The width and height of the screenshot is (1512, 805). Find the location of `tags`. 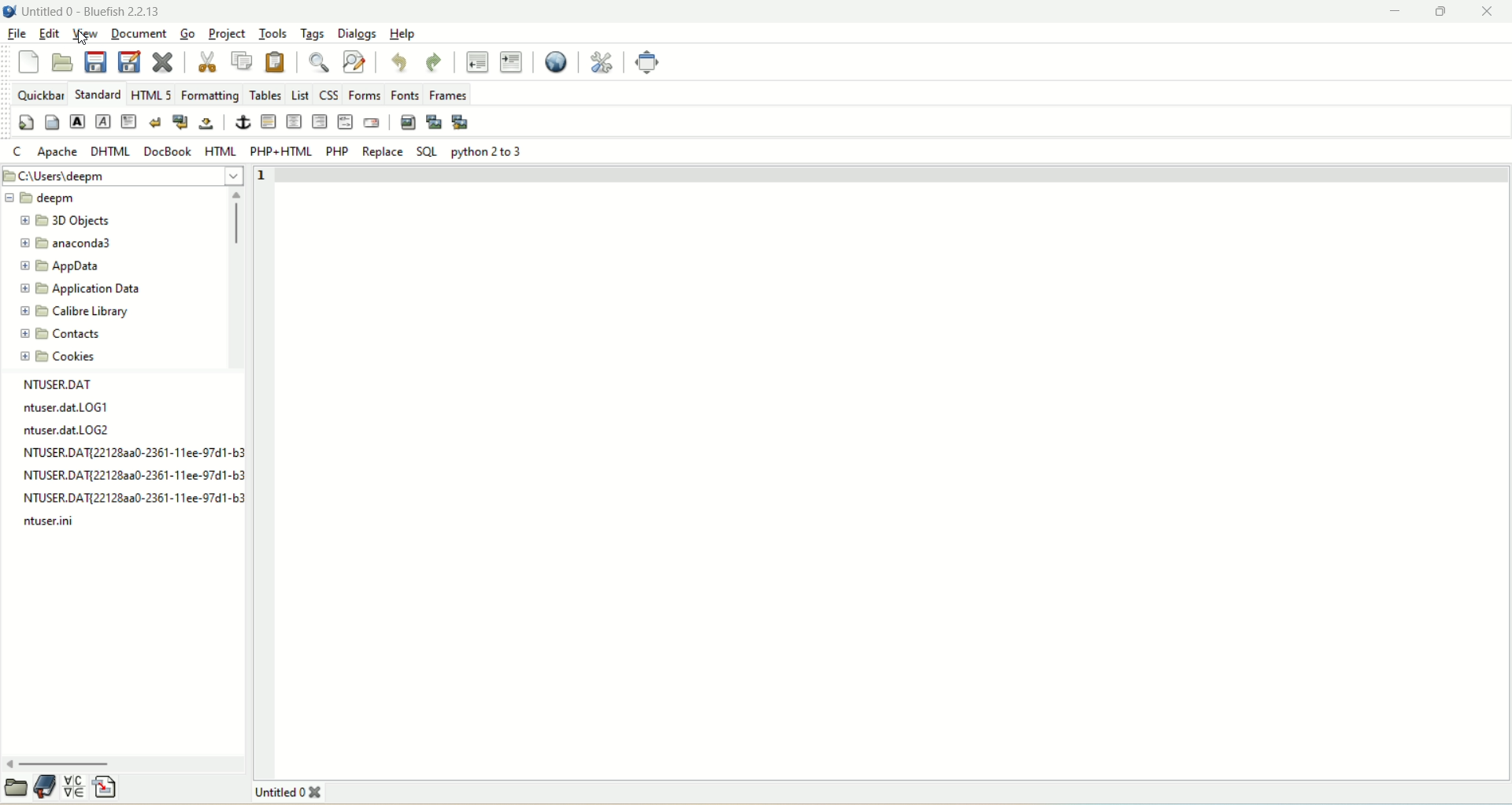

tags is located at coordinates (310, 35).